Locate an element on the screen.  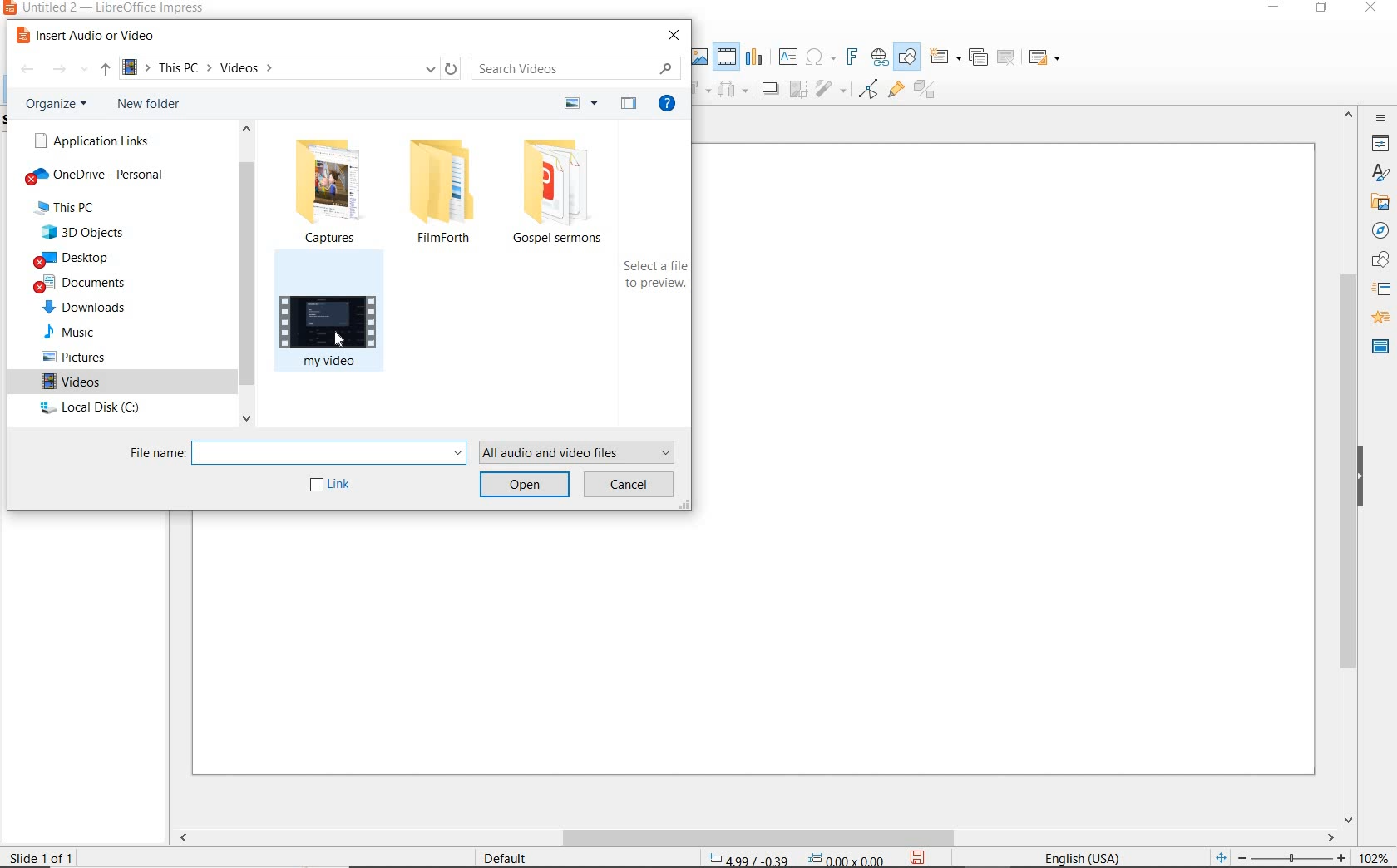
FILE NAME is located at coordinates (106, 9).